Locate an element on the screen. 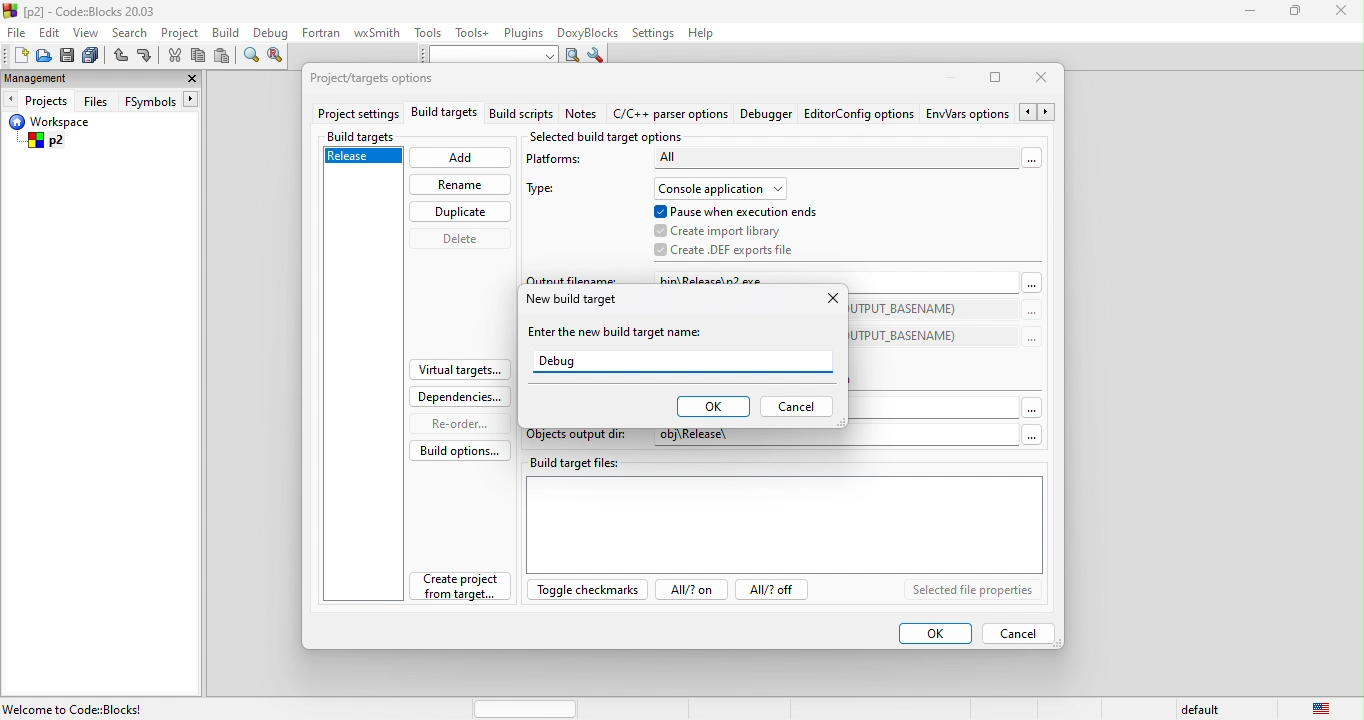 Image resolution: width=1364 pixels, height=720 pixels. platforms-all is located at coordinates (788, 163).